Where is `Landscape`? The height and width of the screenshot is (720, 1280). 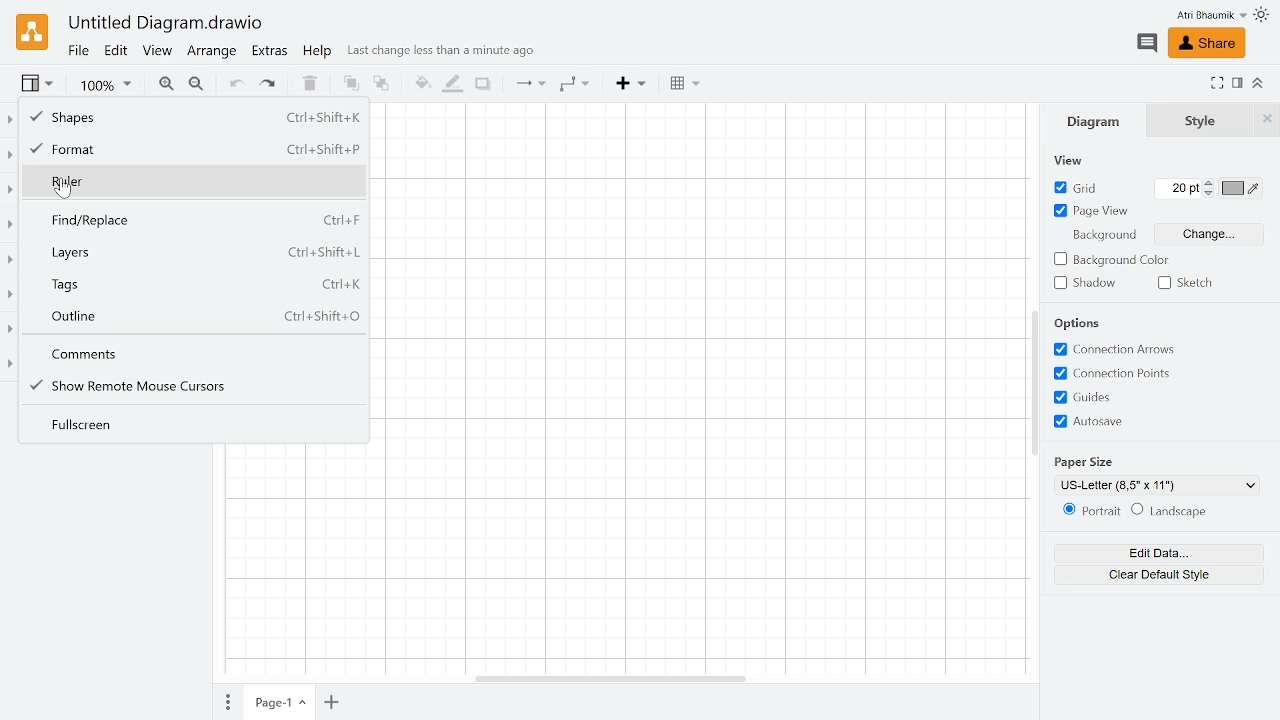 Landscape is located at coordinates (1171, 512).